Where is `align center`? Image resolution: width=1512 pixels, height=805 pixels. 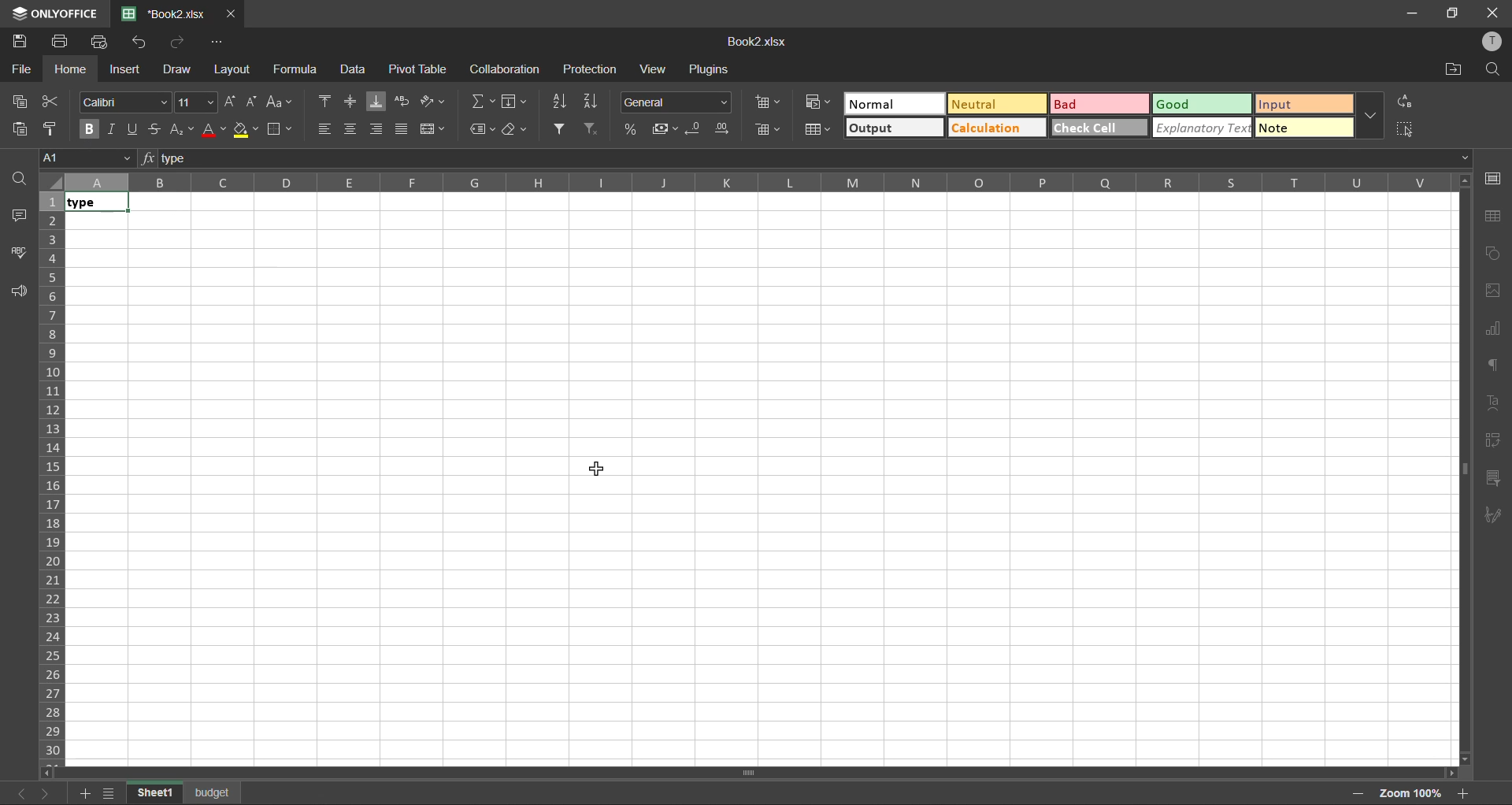
align center is located at coordinates (350, 128).